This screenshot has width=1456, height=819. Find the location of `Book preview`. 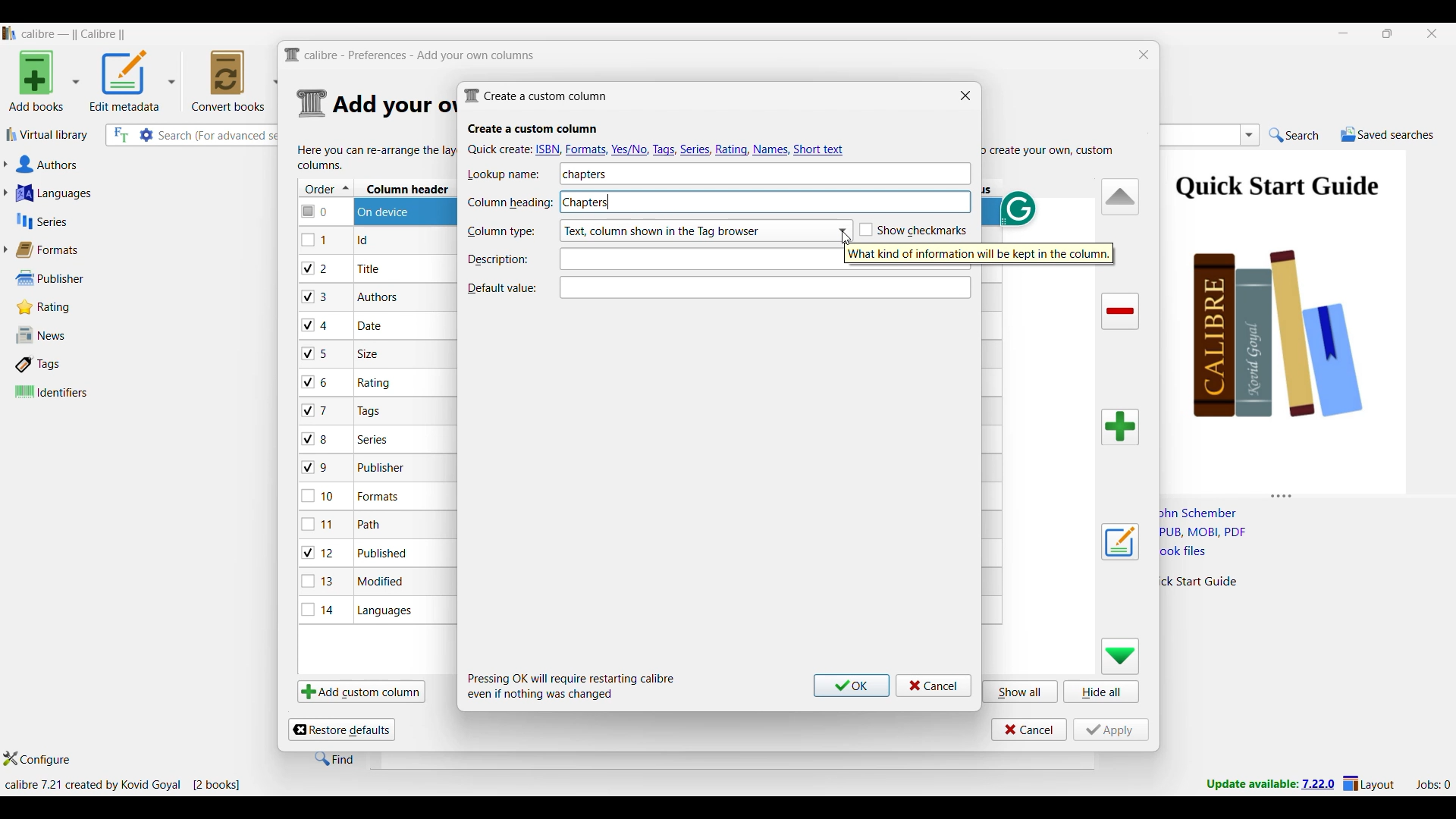

Book preview is located at coordinates (1303, 316).